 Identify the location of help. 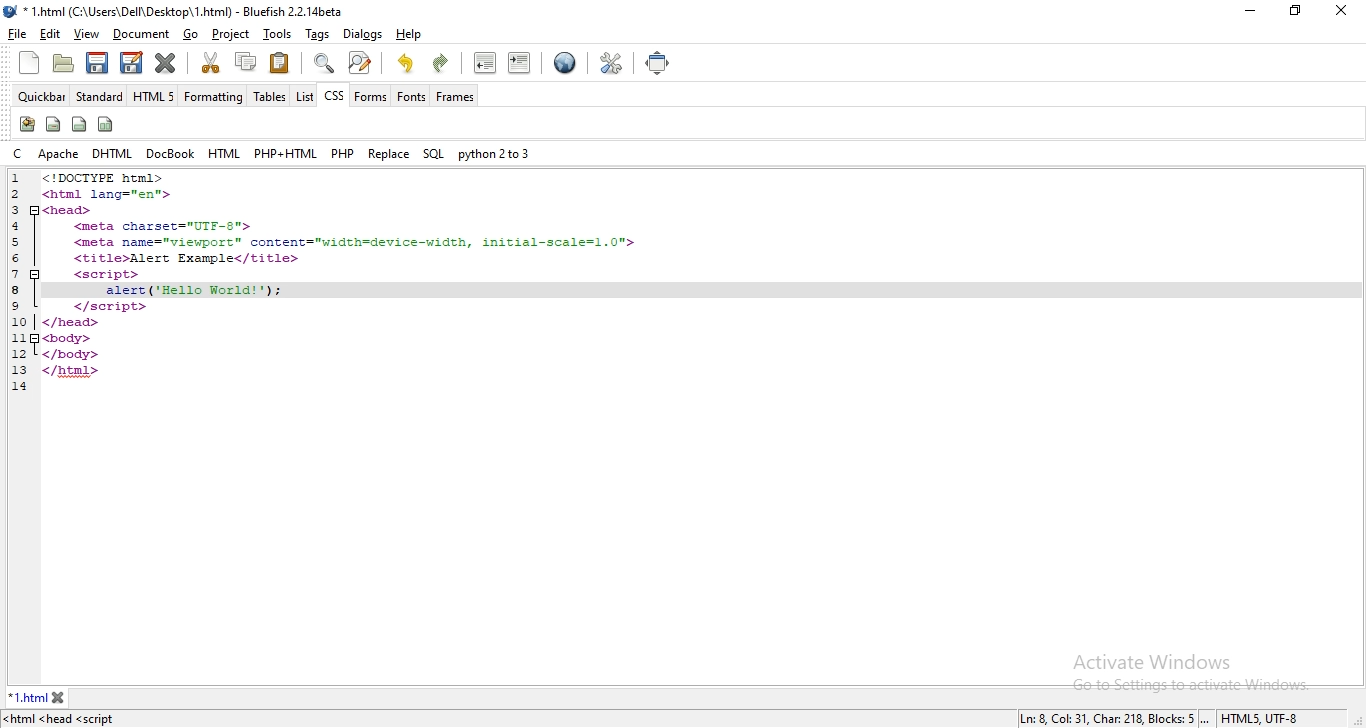
(407, 36).